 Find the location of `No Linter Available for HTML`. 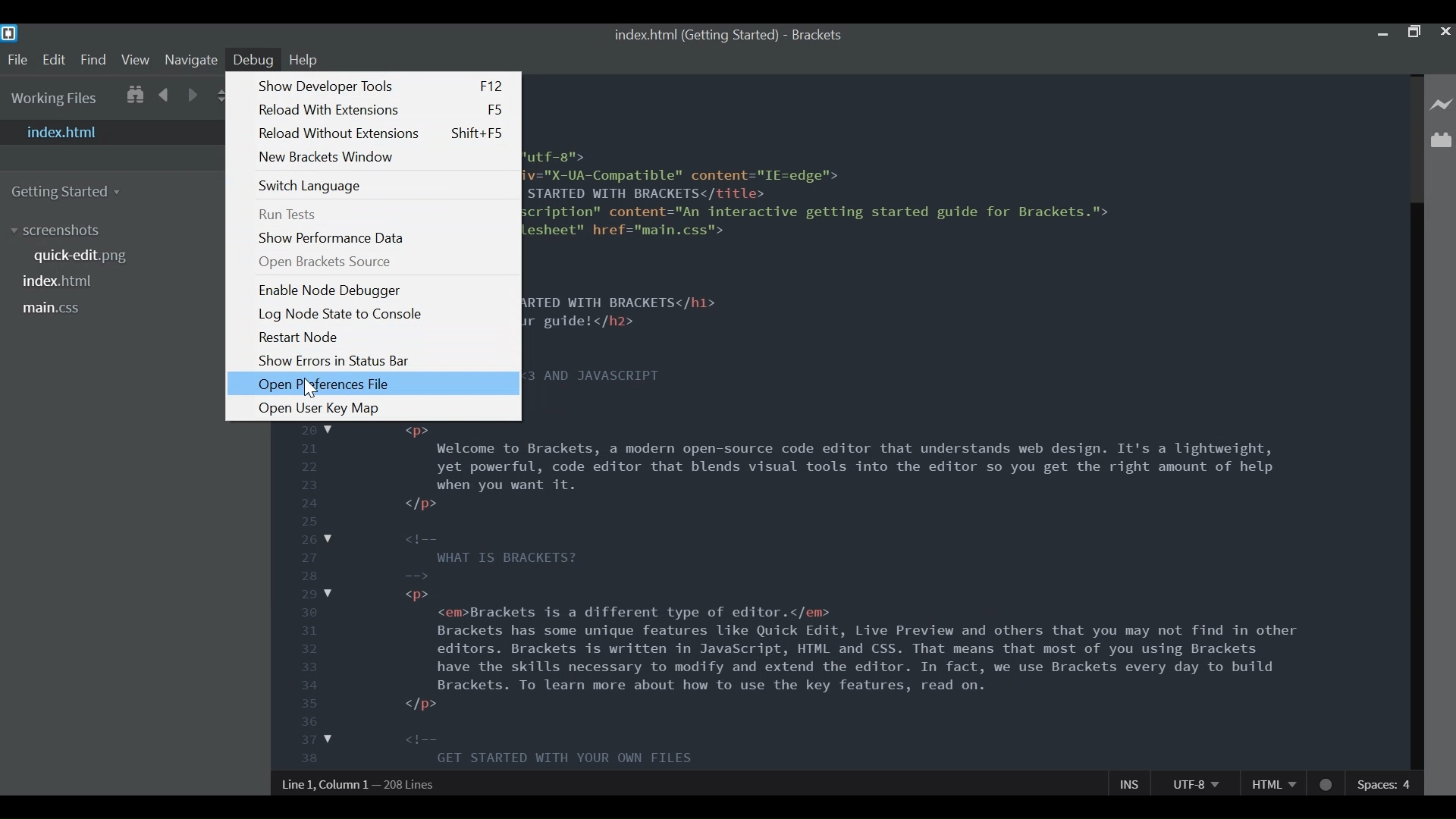

No Linter Available for HTML is located at coordinates (1326, 783).